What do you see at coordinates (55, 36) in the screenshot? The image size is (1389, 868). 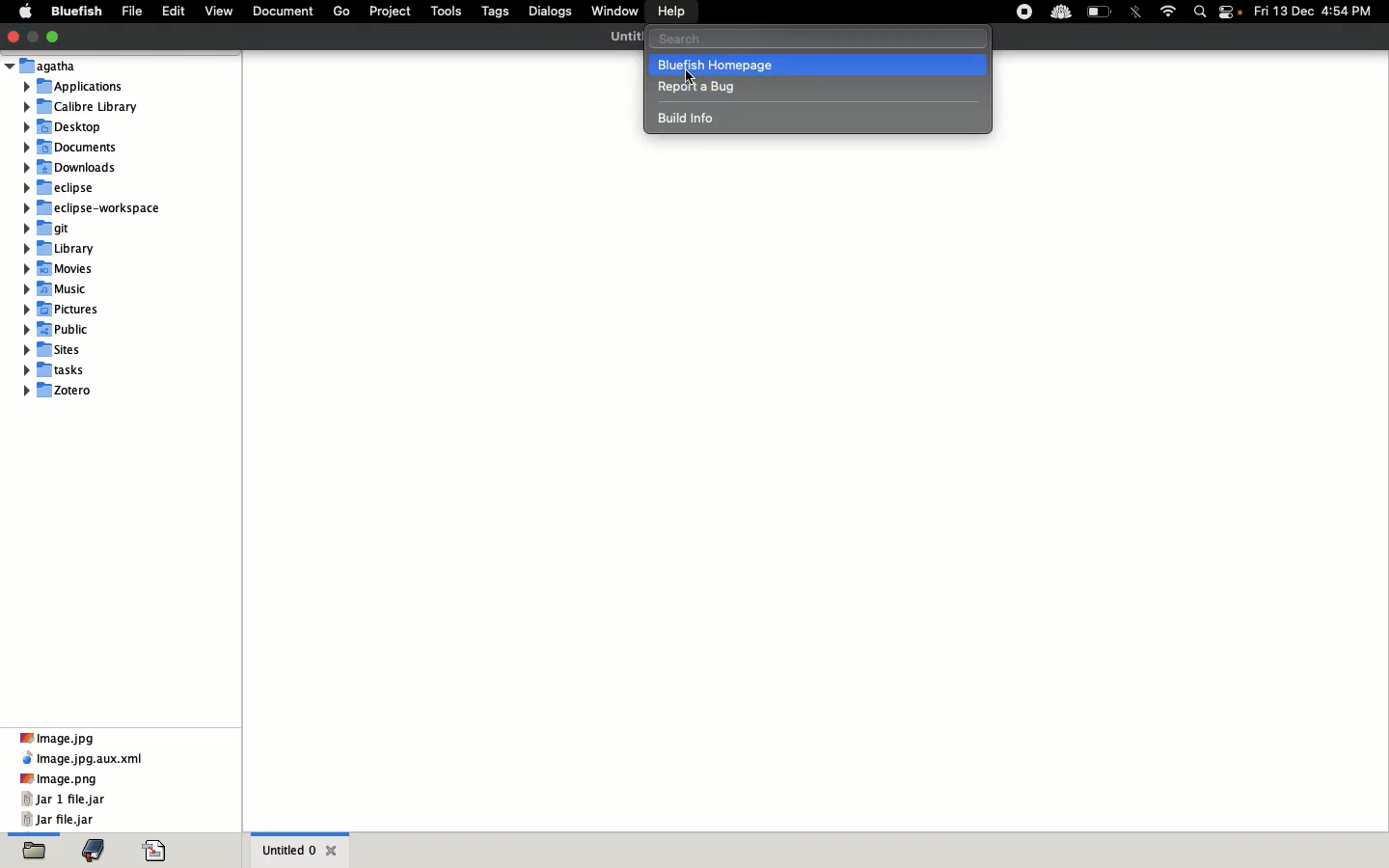 I see `Maximize` at bounding box center [55, 36].